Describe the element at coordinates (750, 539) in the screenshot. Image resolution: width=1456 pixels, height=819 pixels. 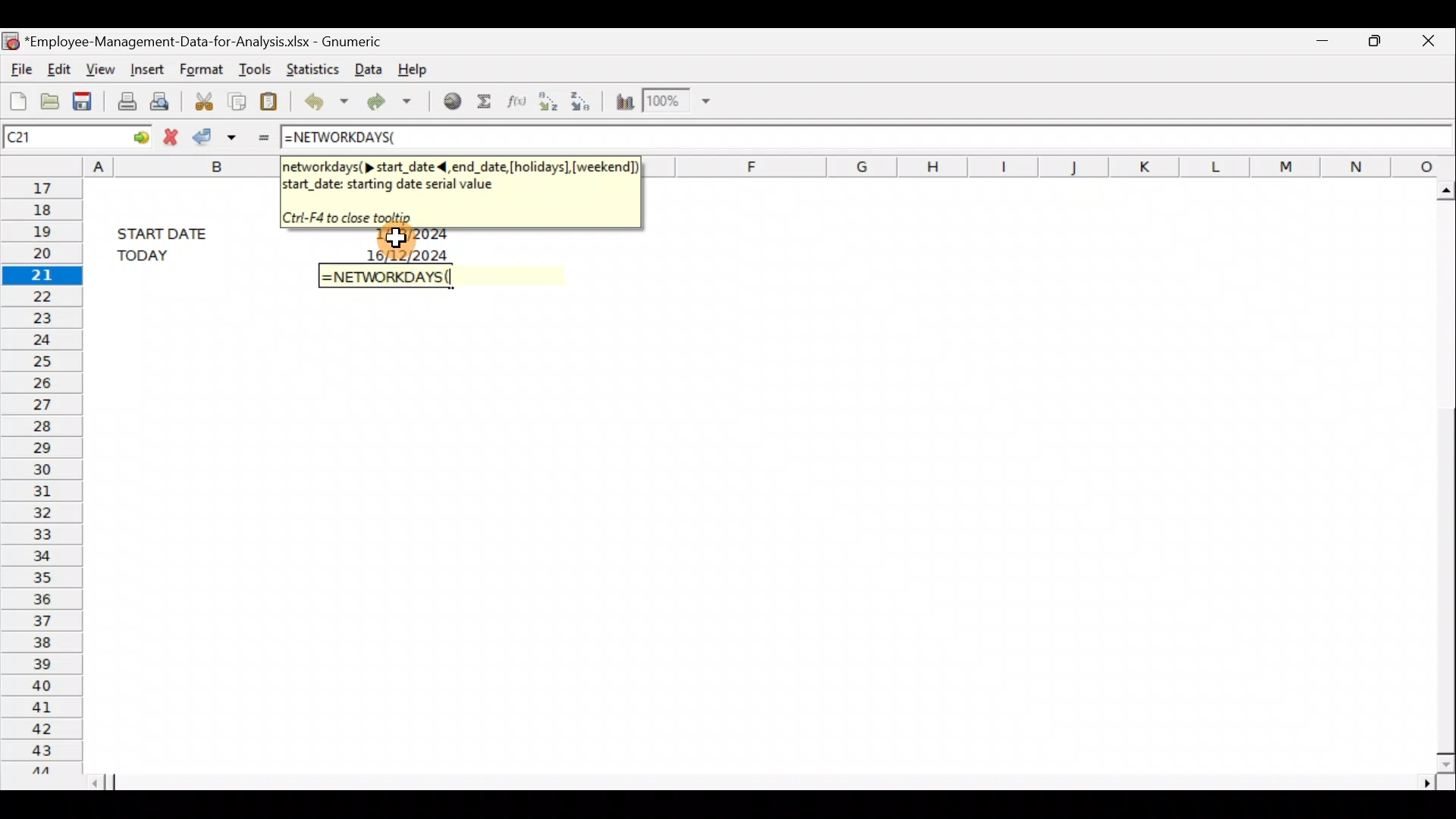
I see `Cells` at that location.